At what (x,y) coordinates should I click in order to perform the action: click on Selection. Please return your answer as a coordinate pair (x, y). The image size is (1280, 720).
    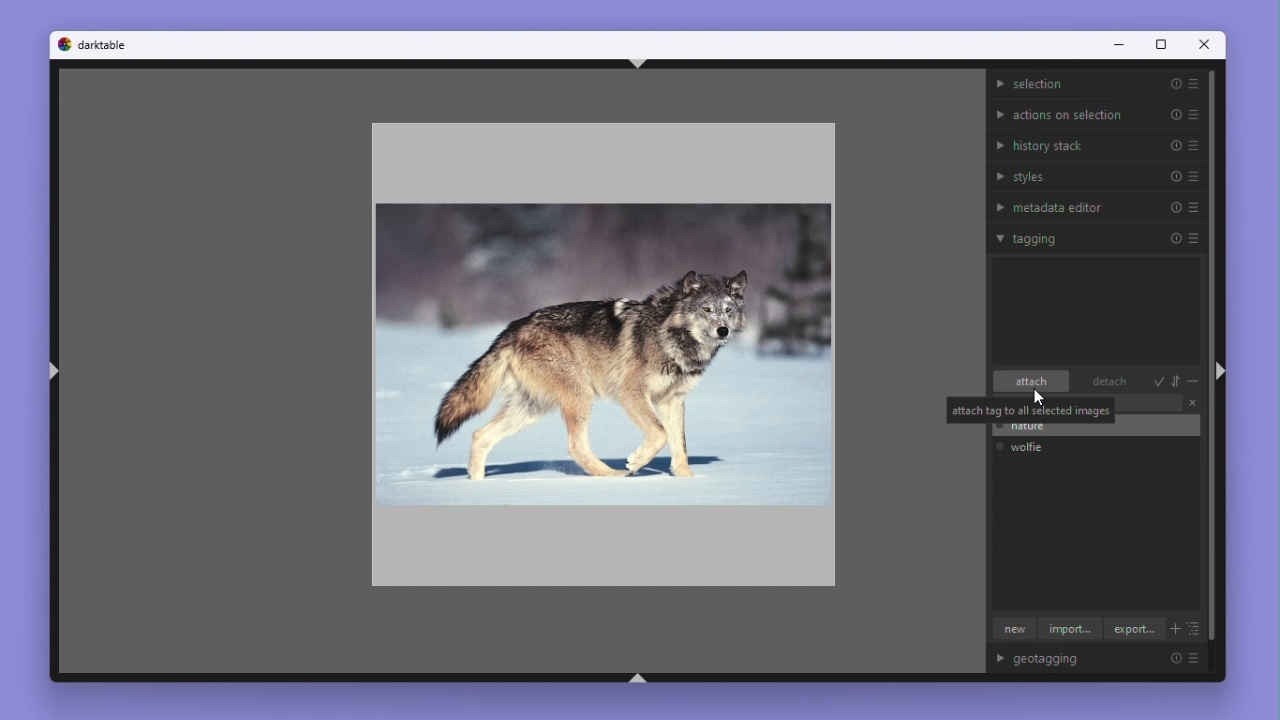
    Looking at the image, I should click on (1096, 84).